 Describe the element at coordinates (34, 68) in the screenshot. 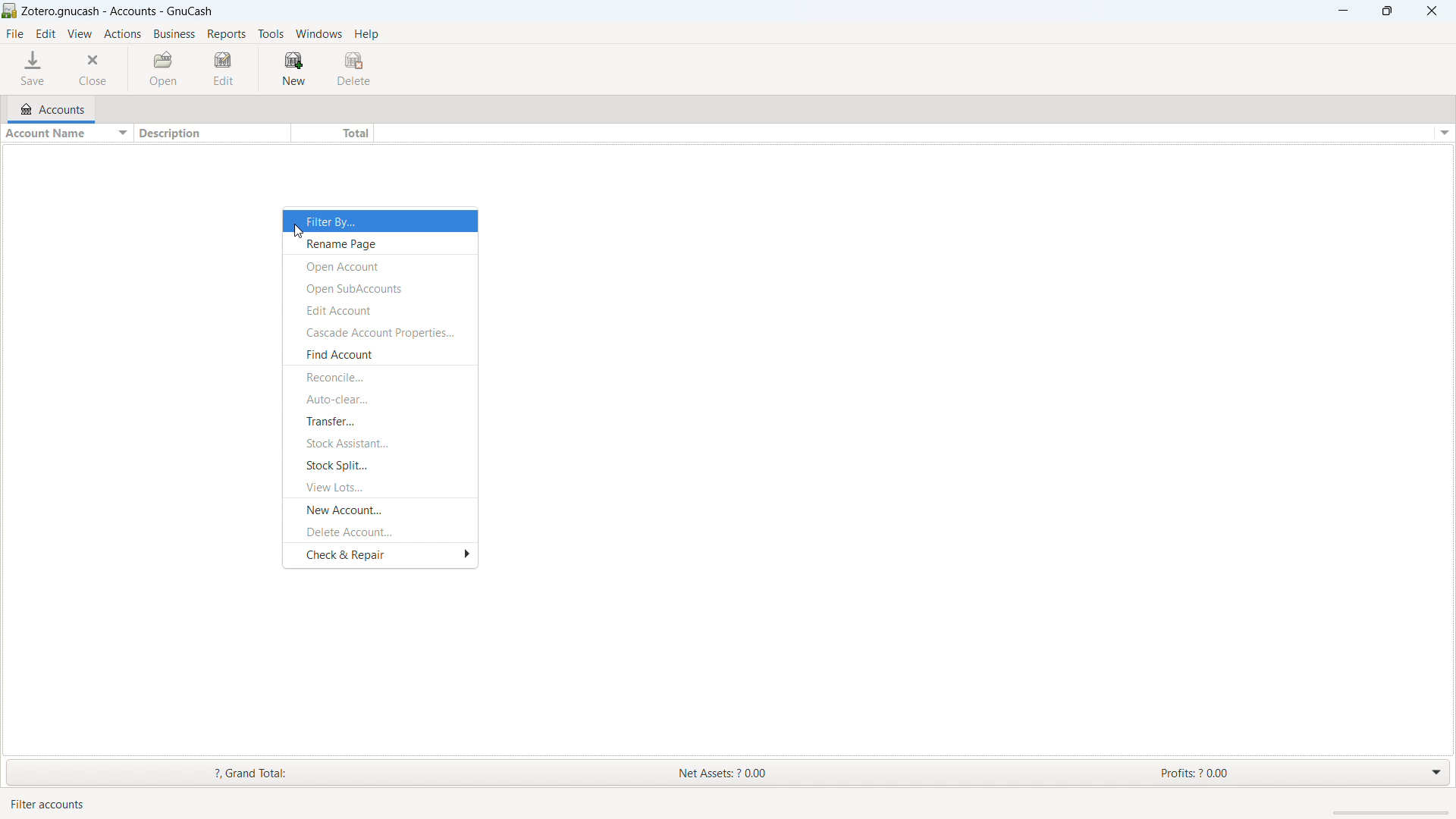

I see `save` at that location.